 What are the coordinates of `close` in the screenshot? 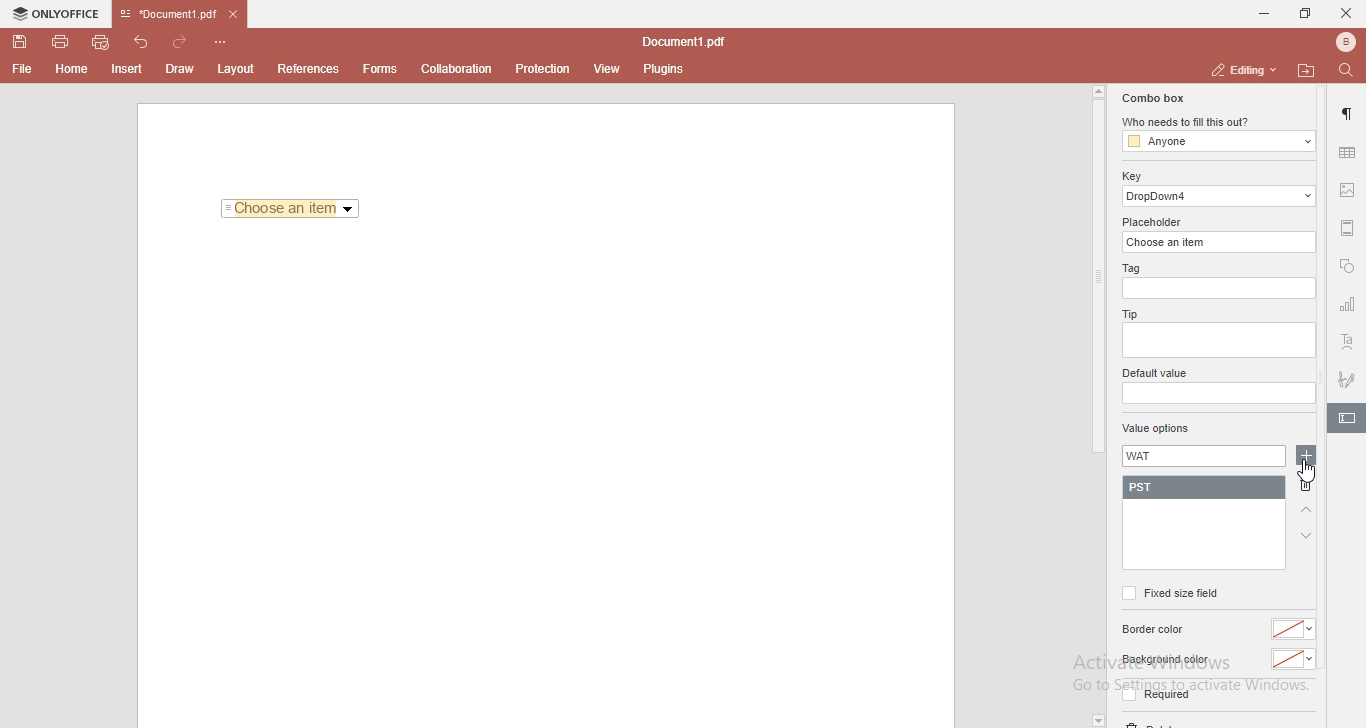 It's located at (1346, 12).